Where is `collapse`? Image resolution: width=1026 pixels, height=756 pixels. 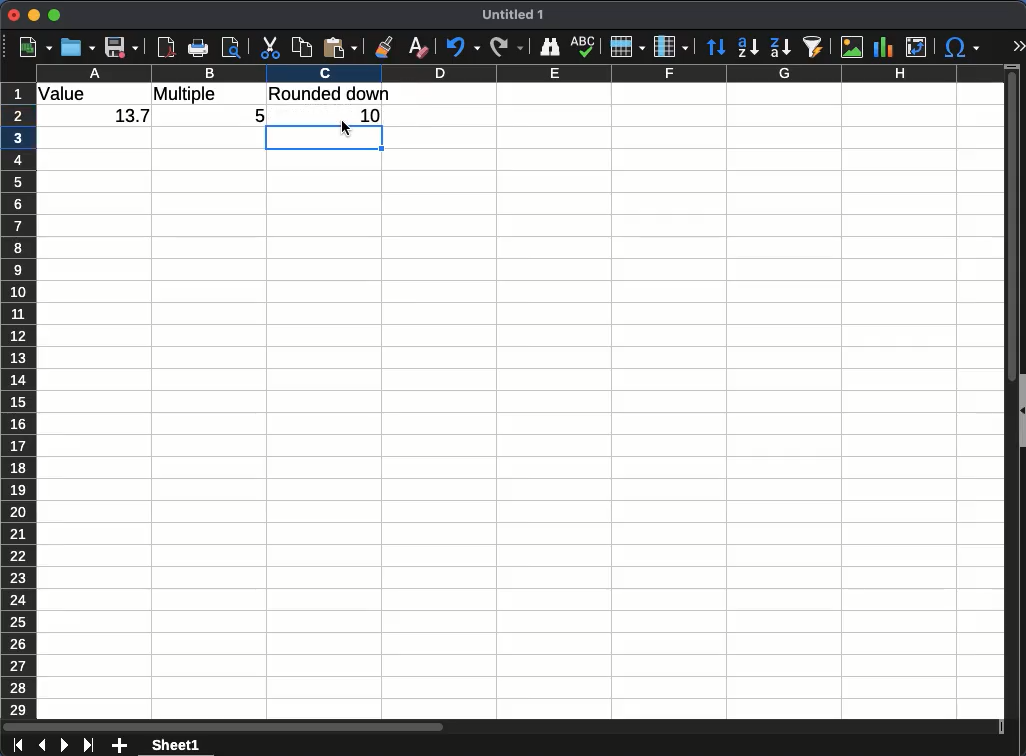
collapse is located at coordinates (1020, 410).